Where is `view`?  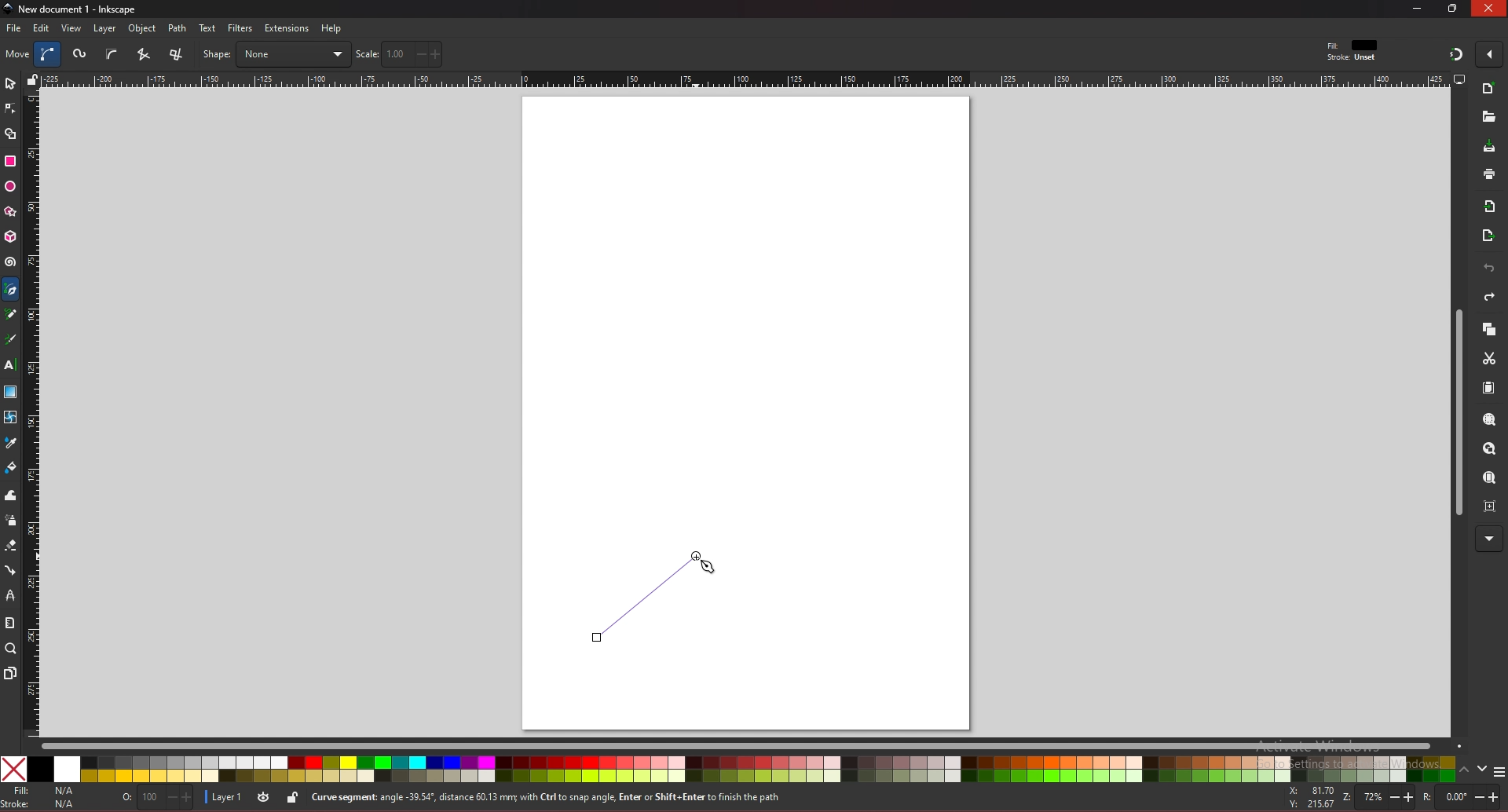 view is located at coordinates (72, 28).